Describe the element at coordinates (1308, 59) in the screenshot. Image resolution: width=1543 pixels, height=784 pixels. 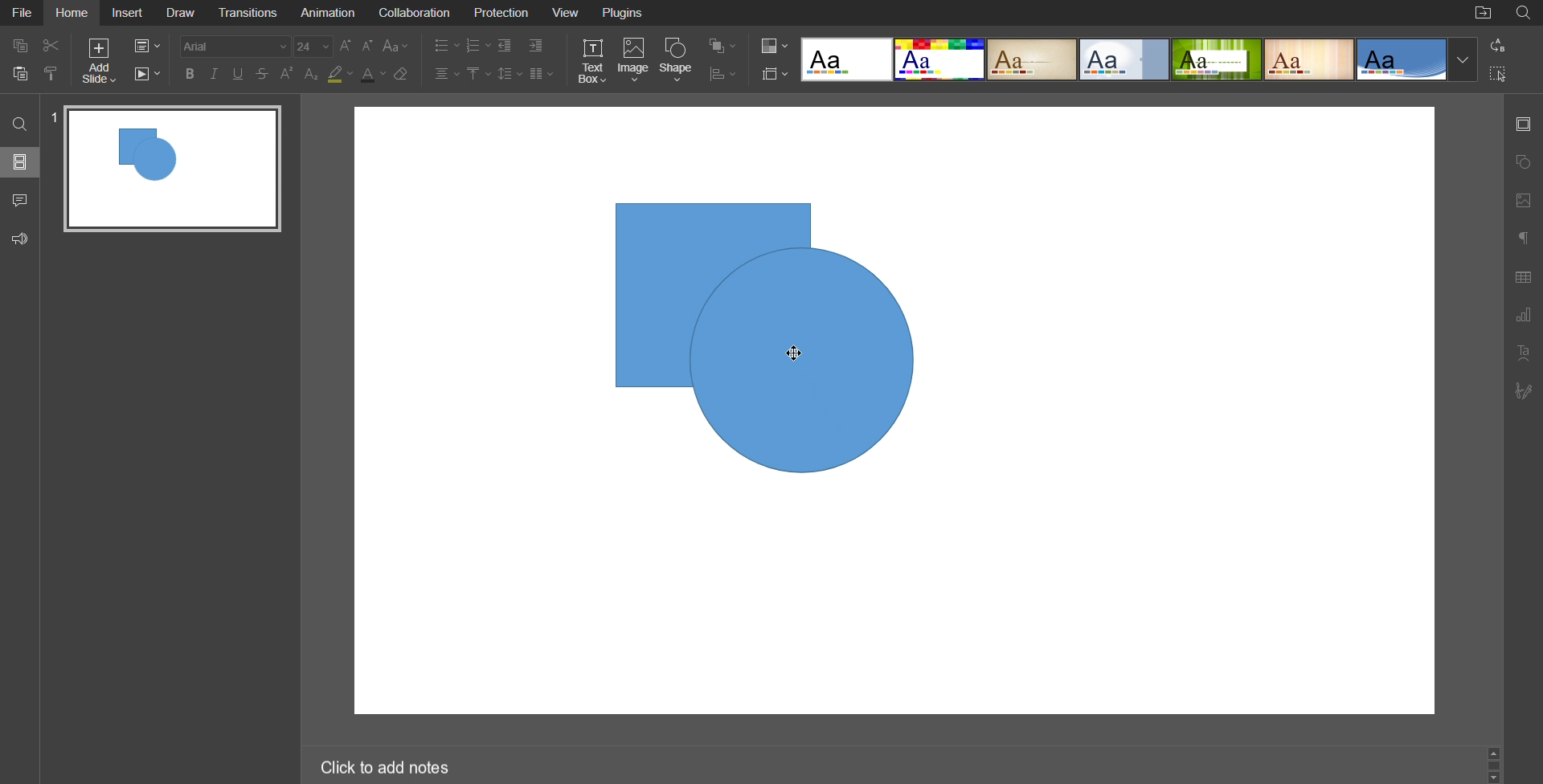
I see `Lines` at that location.